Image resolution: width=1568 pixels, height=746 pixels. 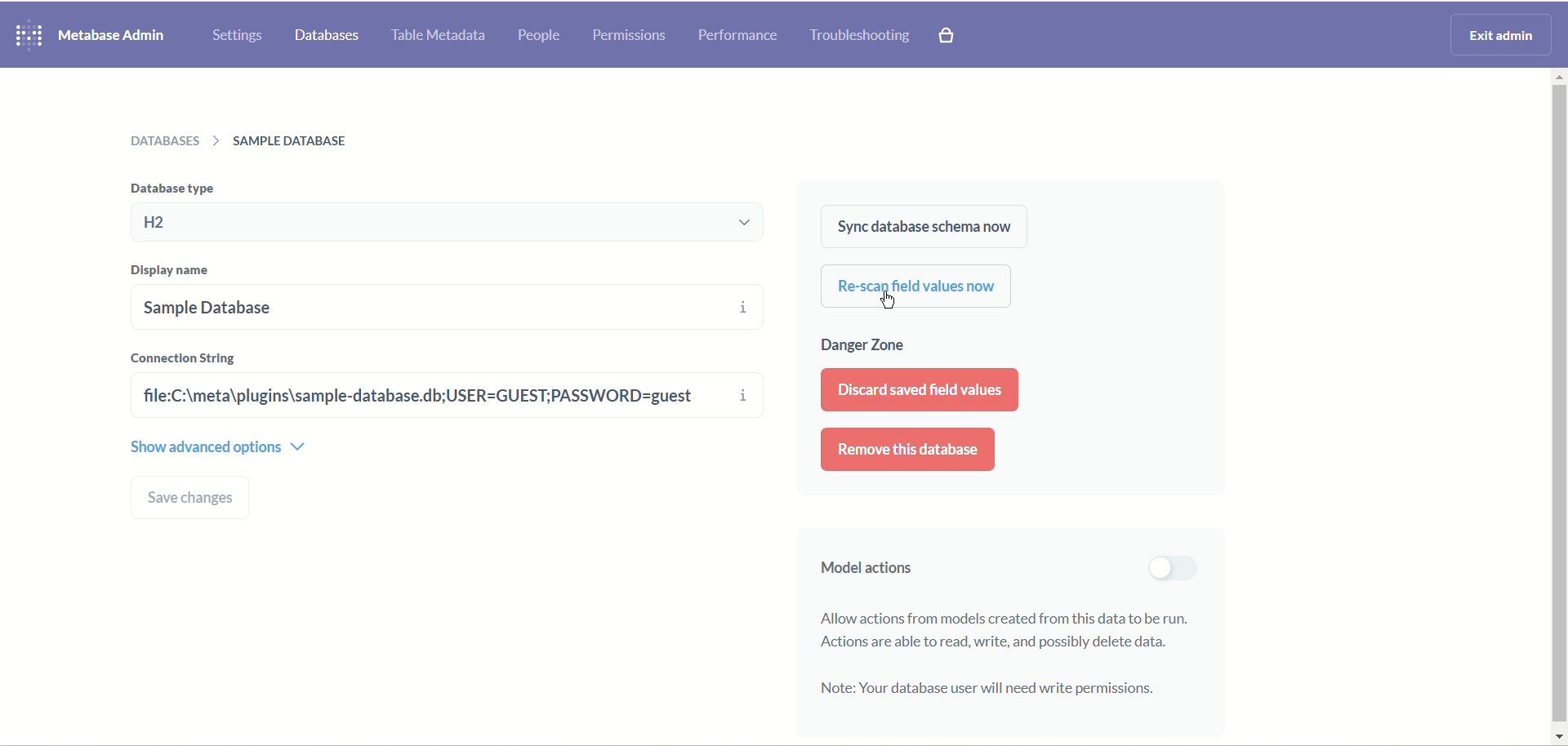 I want to click on sync databases schema now, so click(x=922, y=226).